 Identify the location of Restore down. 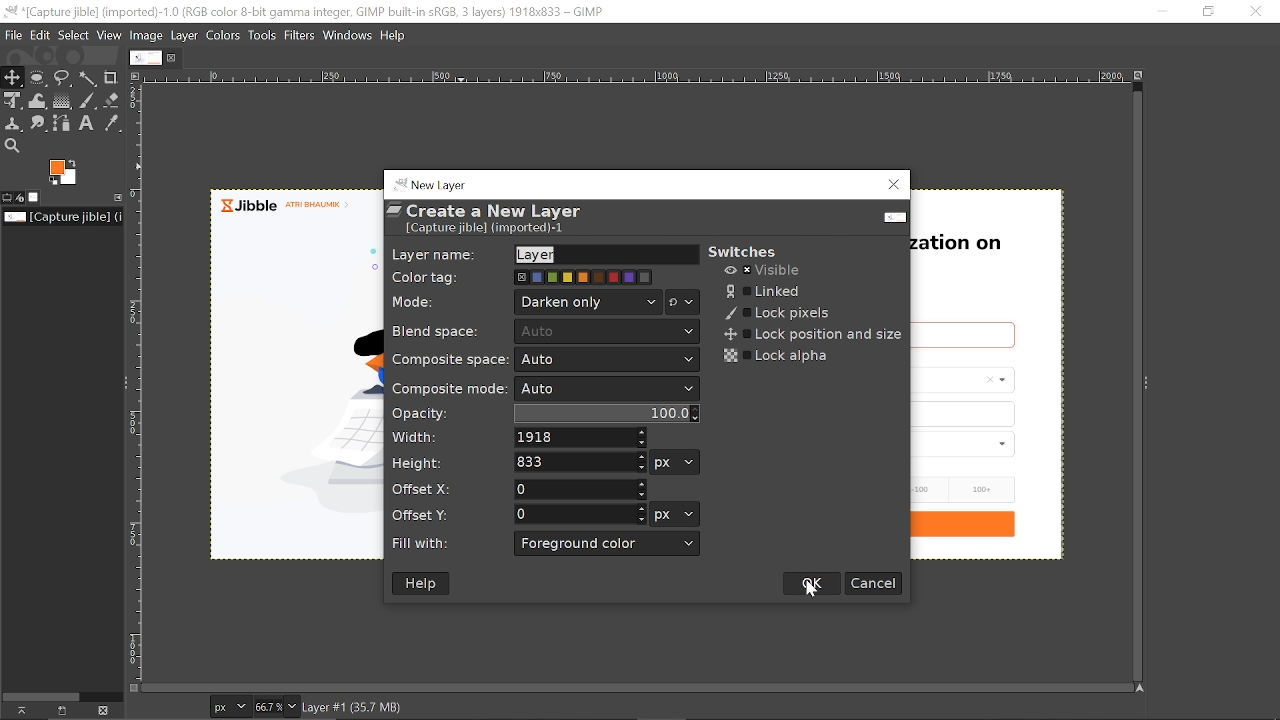
(1207, 12).